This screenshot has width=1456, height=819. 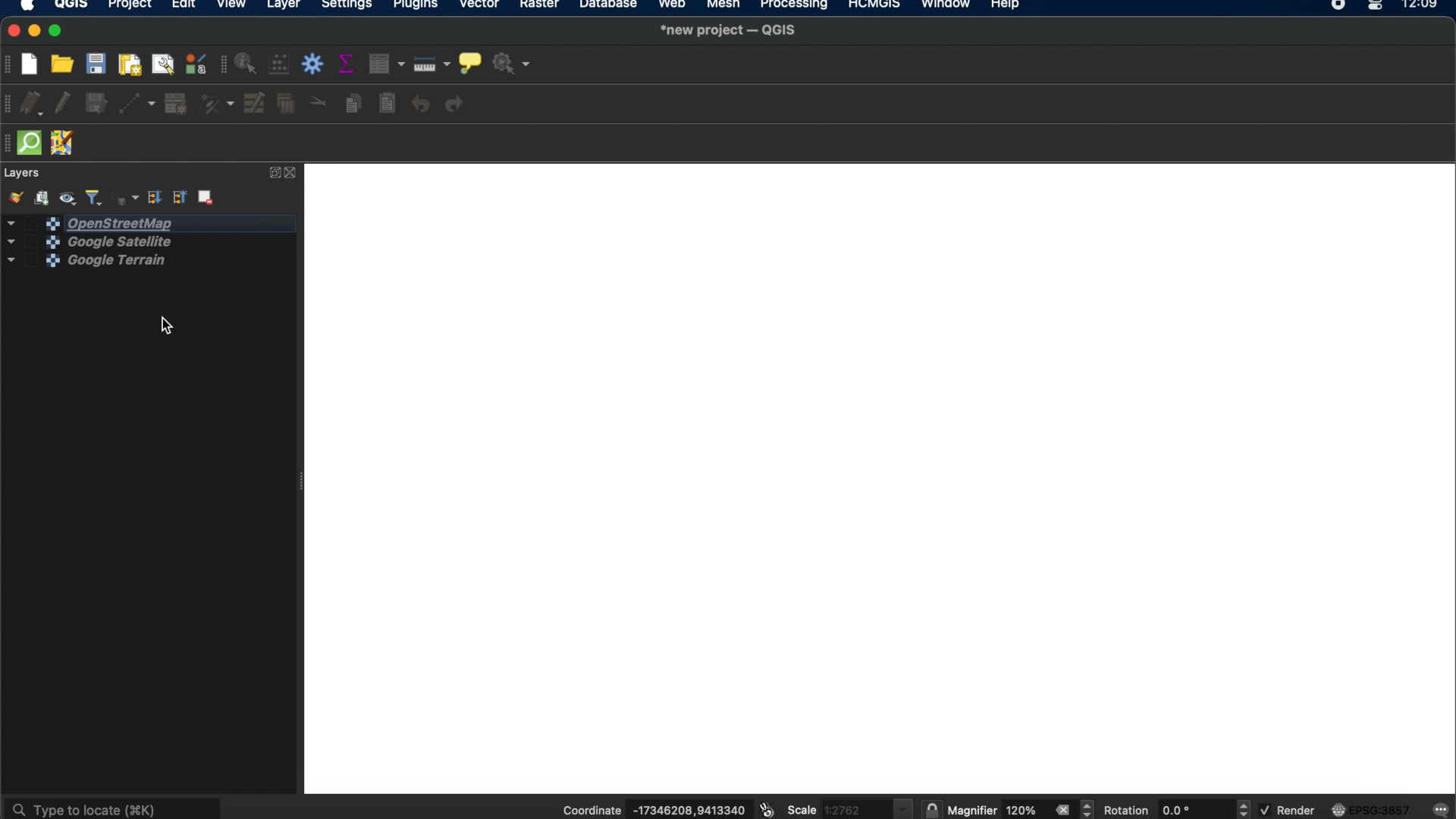 What do you see at coordinates (318, 102) in the screenshot?
I see `cut features` at bounding box center [318, 102].